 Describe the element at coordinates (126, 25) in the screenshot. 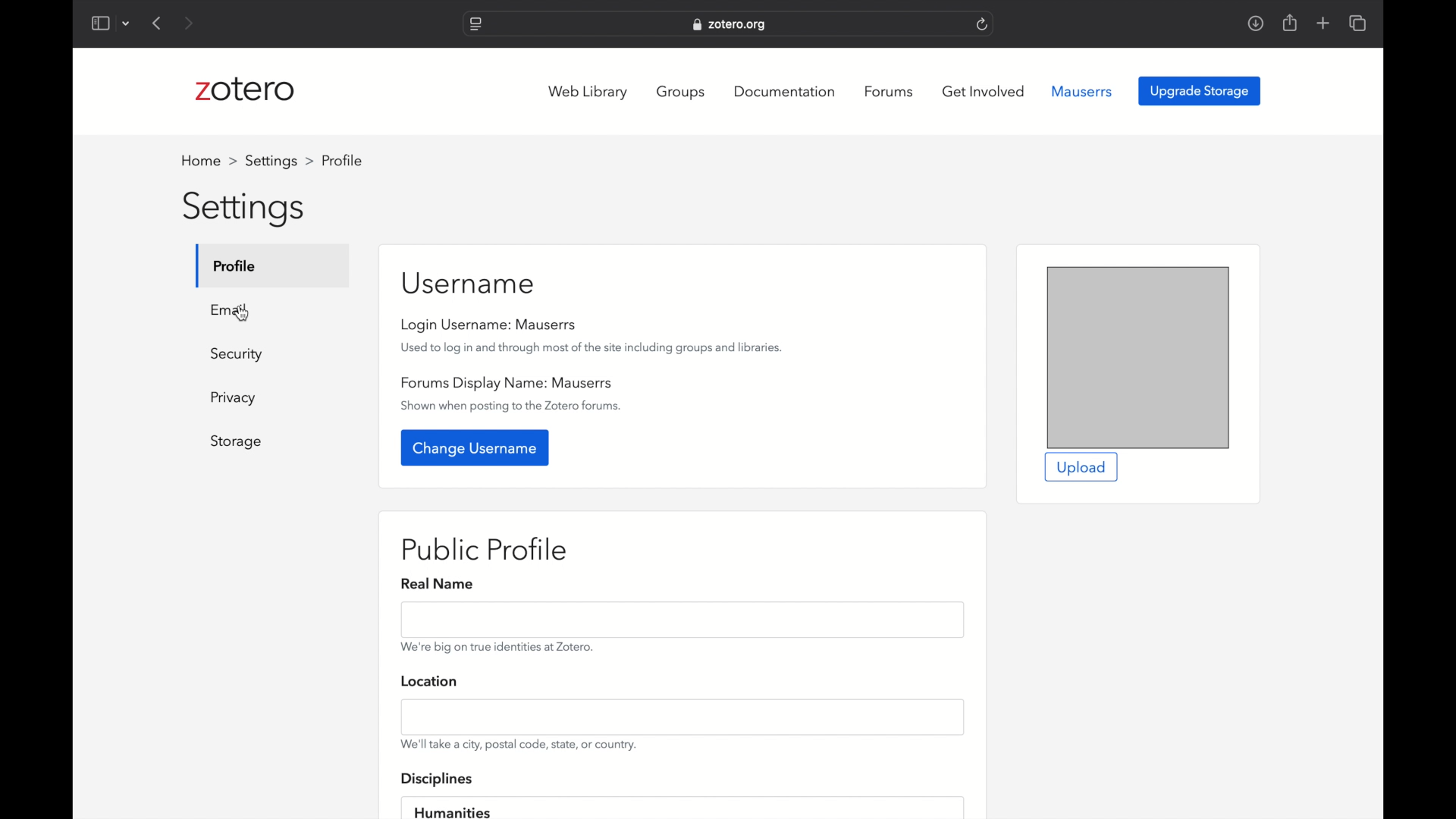

I see `dropdown` at that location.